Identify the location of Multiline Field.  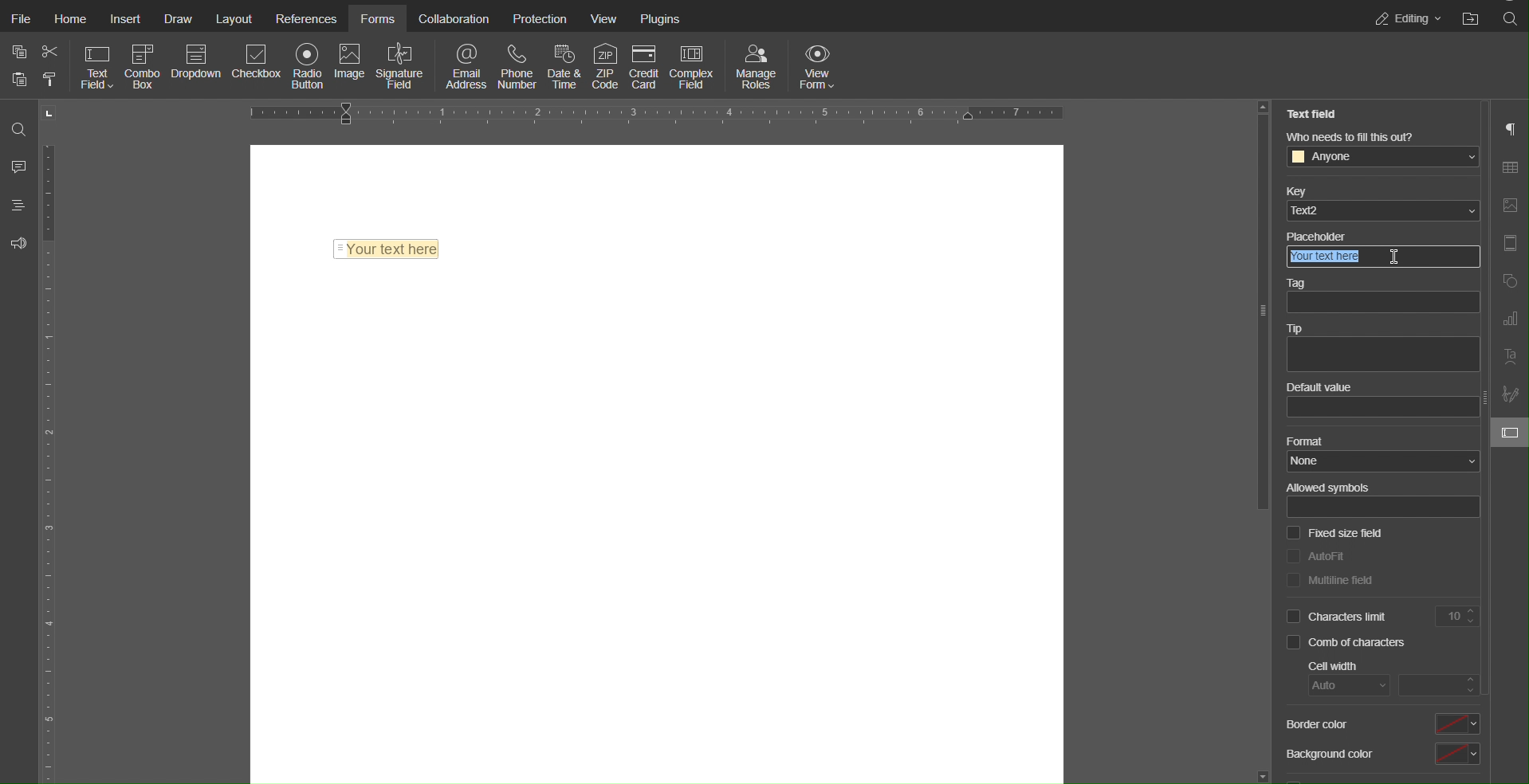
(1331, 579).